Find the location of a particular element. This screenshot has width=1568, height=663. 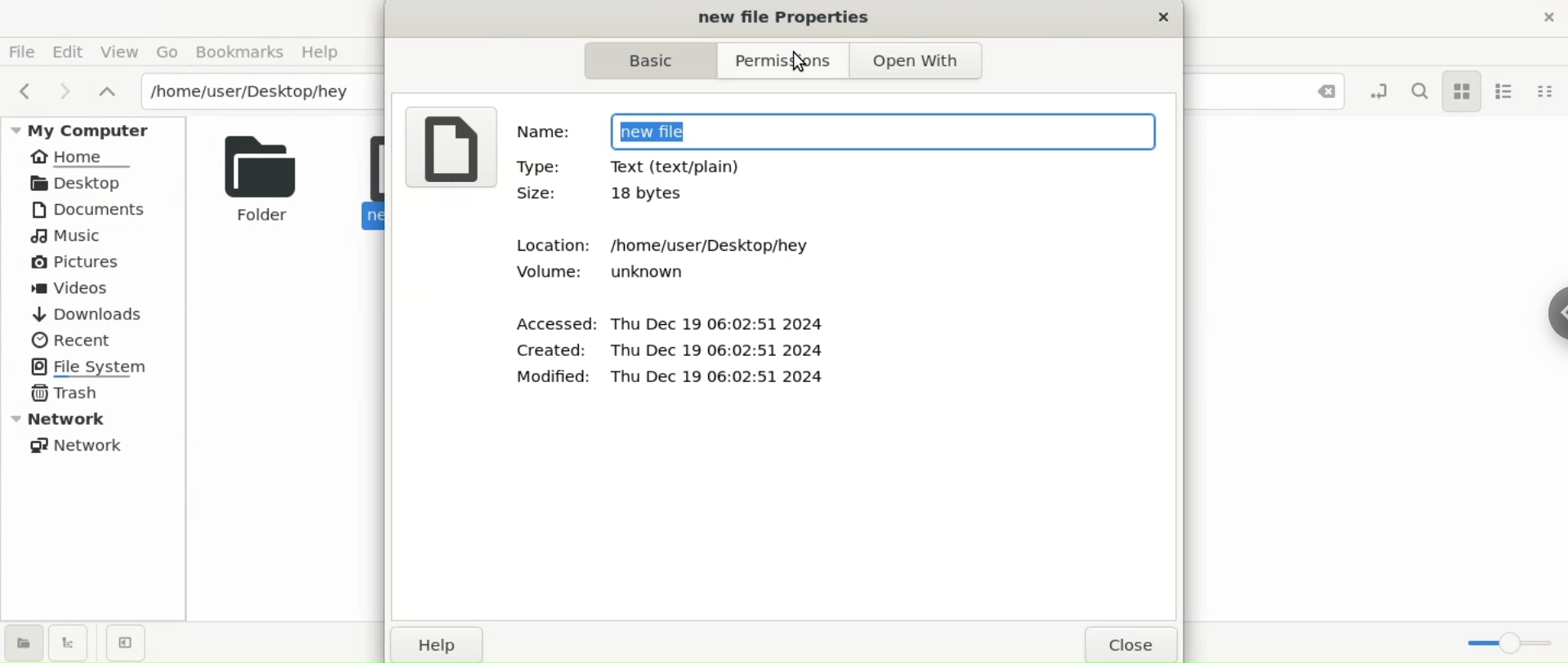

close sidebar is located at coordinates (126, 643).